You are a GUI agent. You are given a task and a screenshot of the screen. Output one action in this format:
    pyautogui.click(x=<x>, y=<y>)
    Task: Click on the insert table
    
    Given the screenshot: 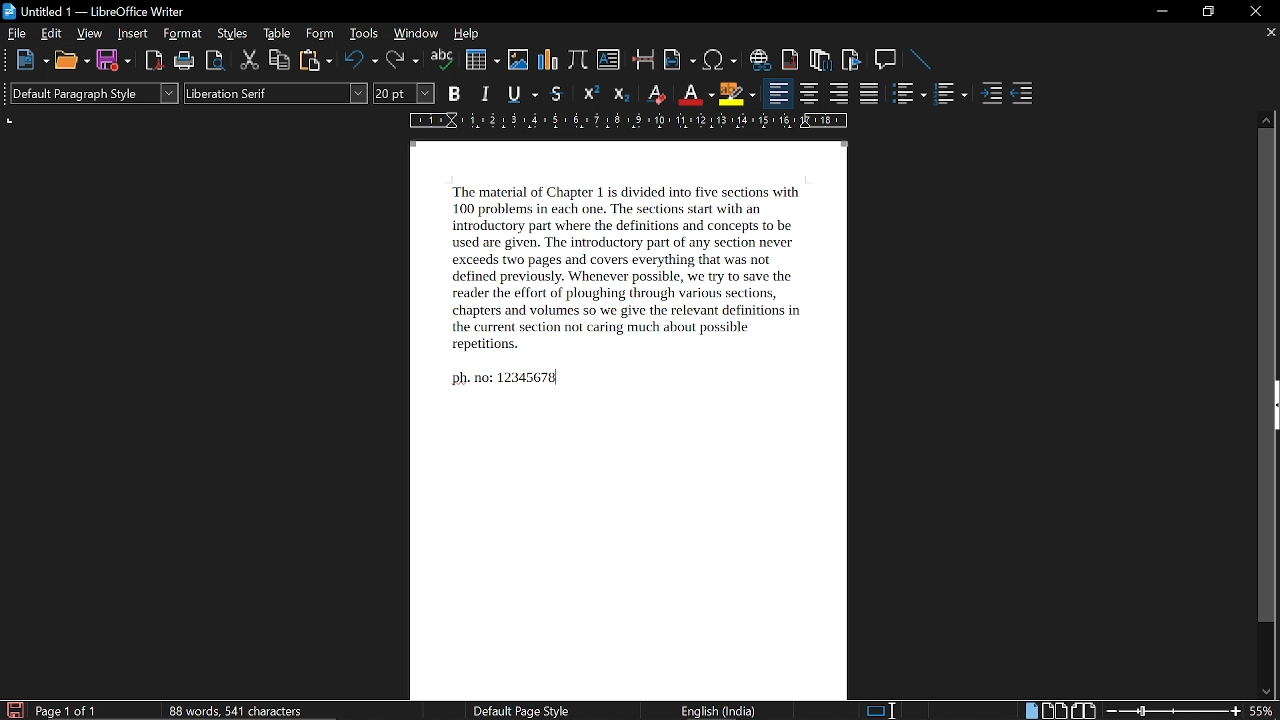 What is the action you would take?
    pyautogui.click(x=481, y=60)
    